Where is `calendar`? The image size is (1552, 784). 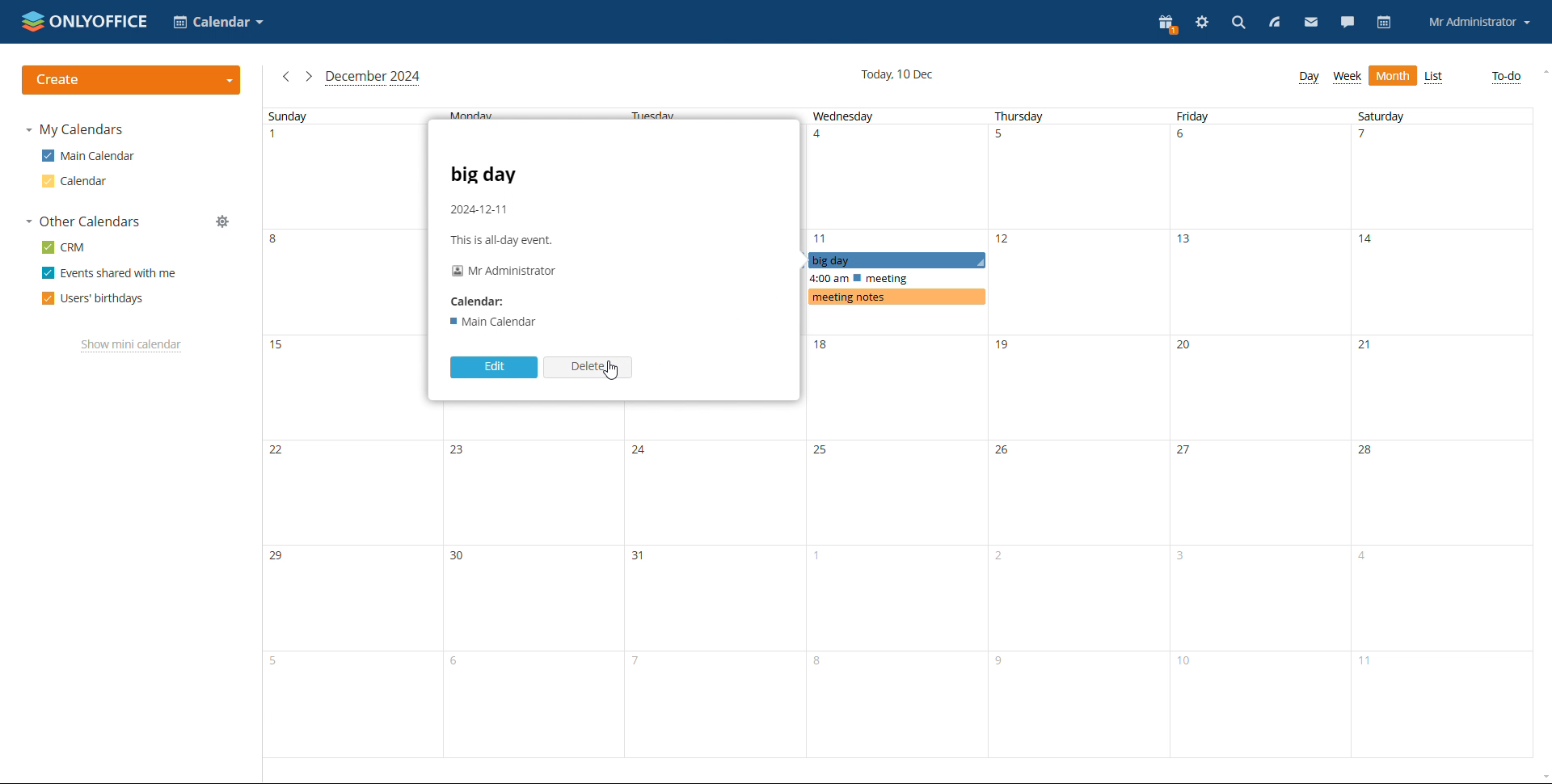 calendar is located at coordinates (76, 181).